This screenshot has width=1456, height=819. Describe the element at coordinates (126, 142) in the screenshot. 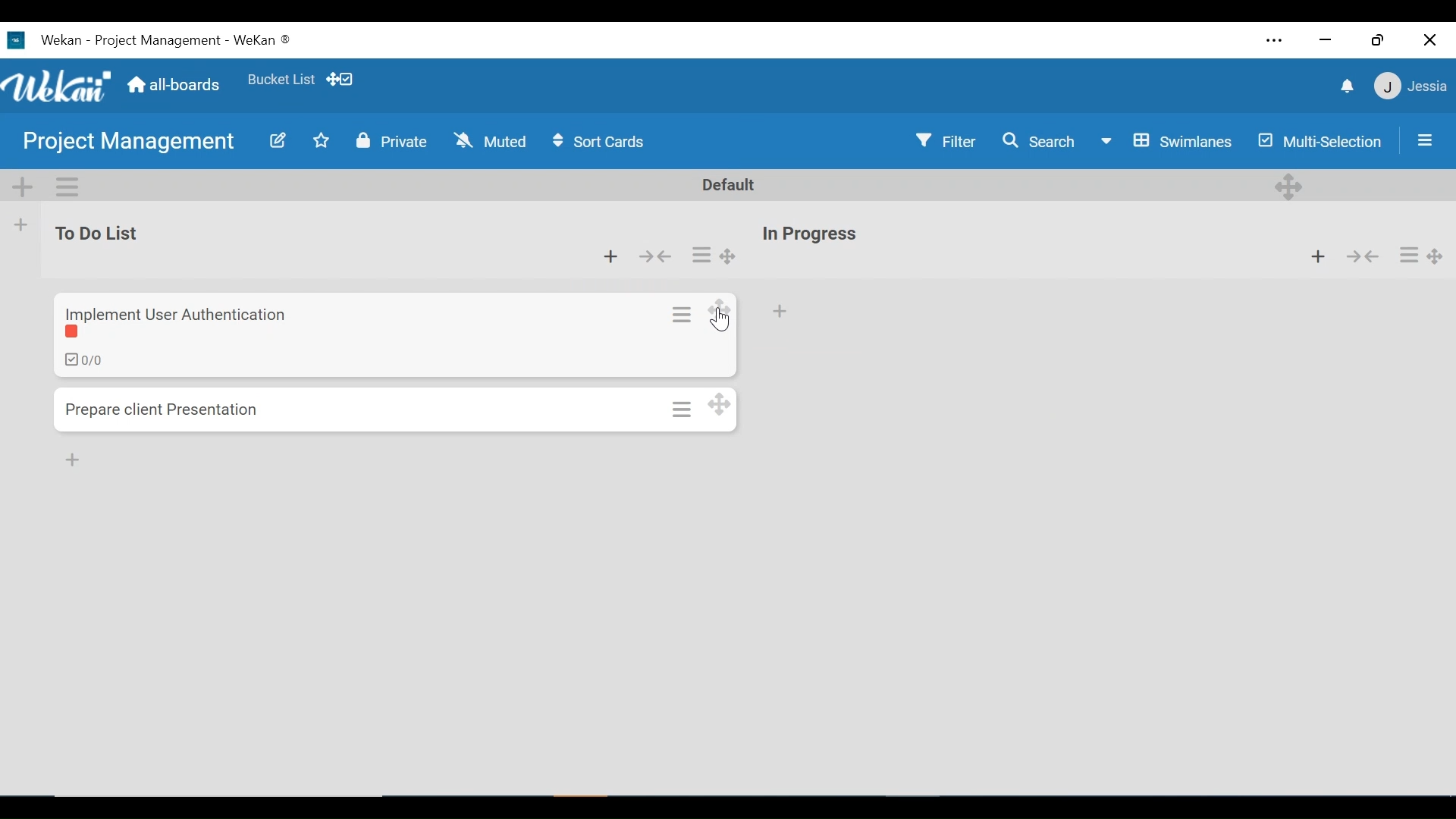

I see `Project Management` at that location.